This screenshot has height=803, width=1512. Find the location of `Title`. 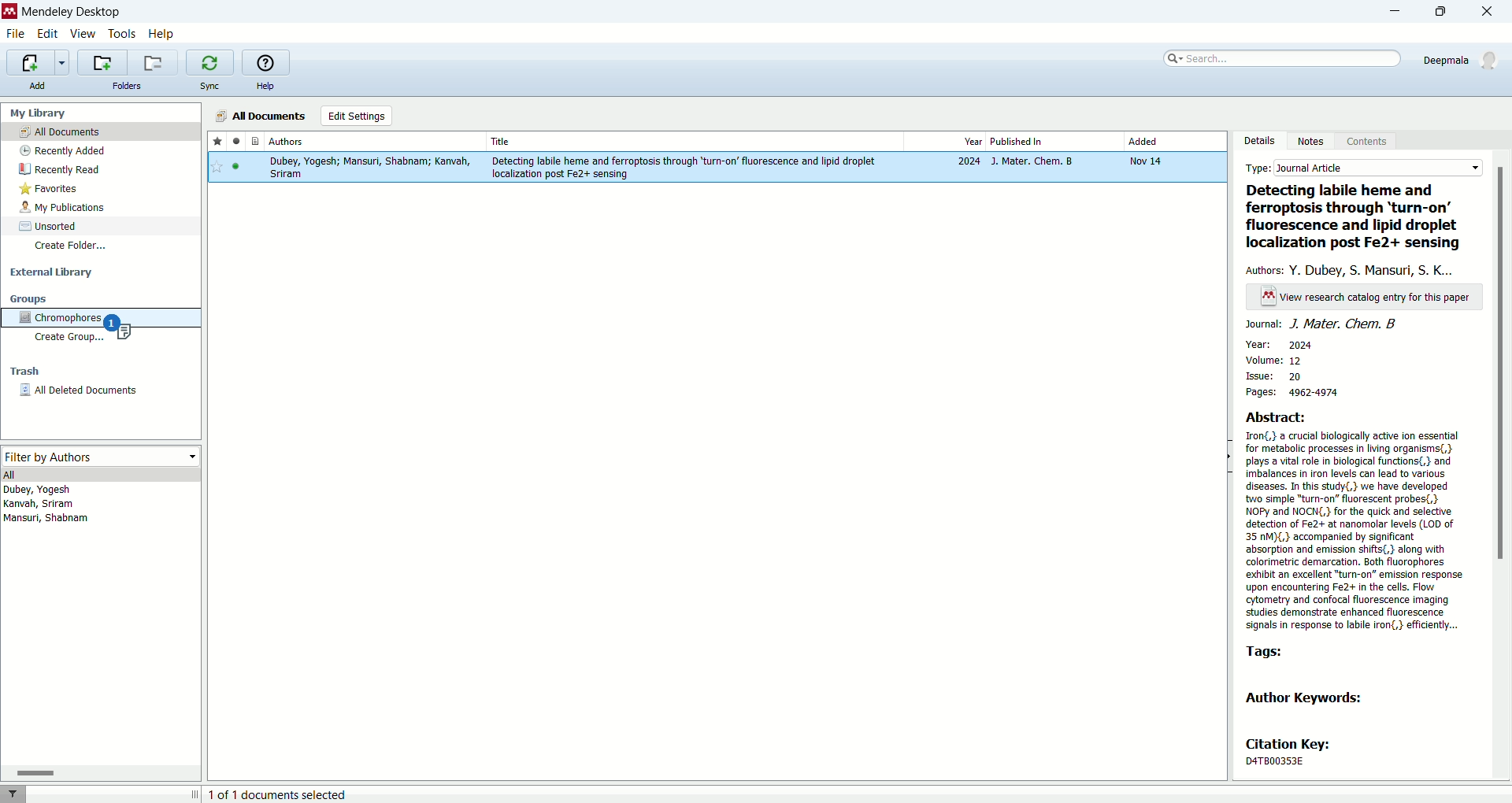

Title is located at coordinates (695, 141).